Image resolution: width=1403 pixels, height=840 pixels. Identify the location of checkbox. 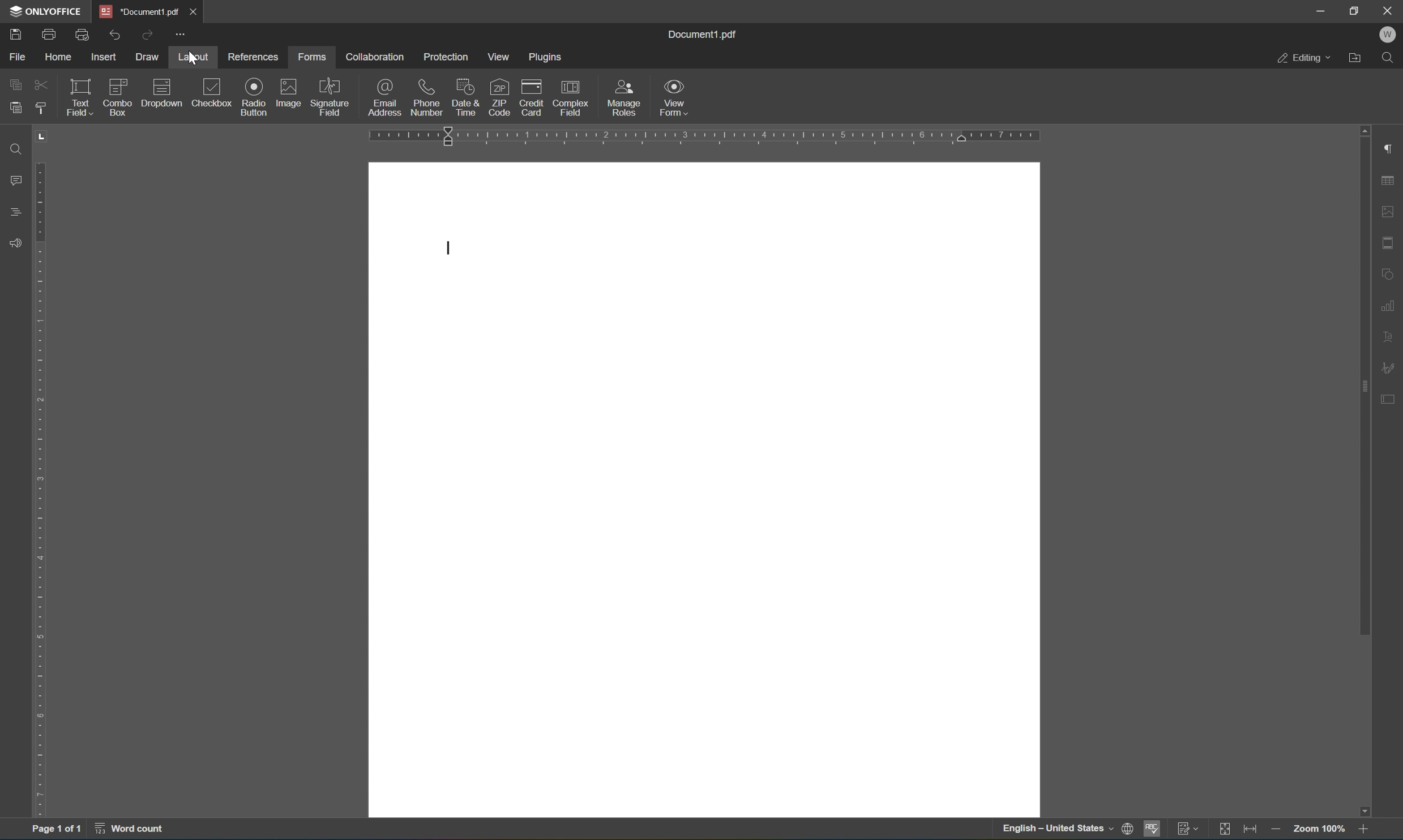
(211, 92).